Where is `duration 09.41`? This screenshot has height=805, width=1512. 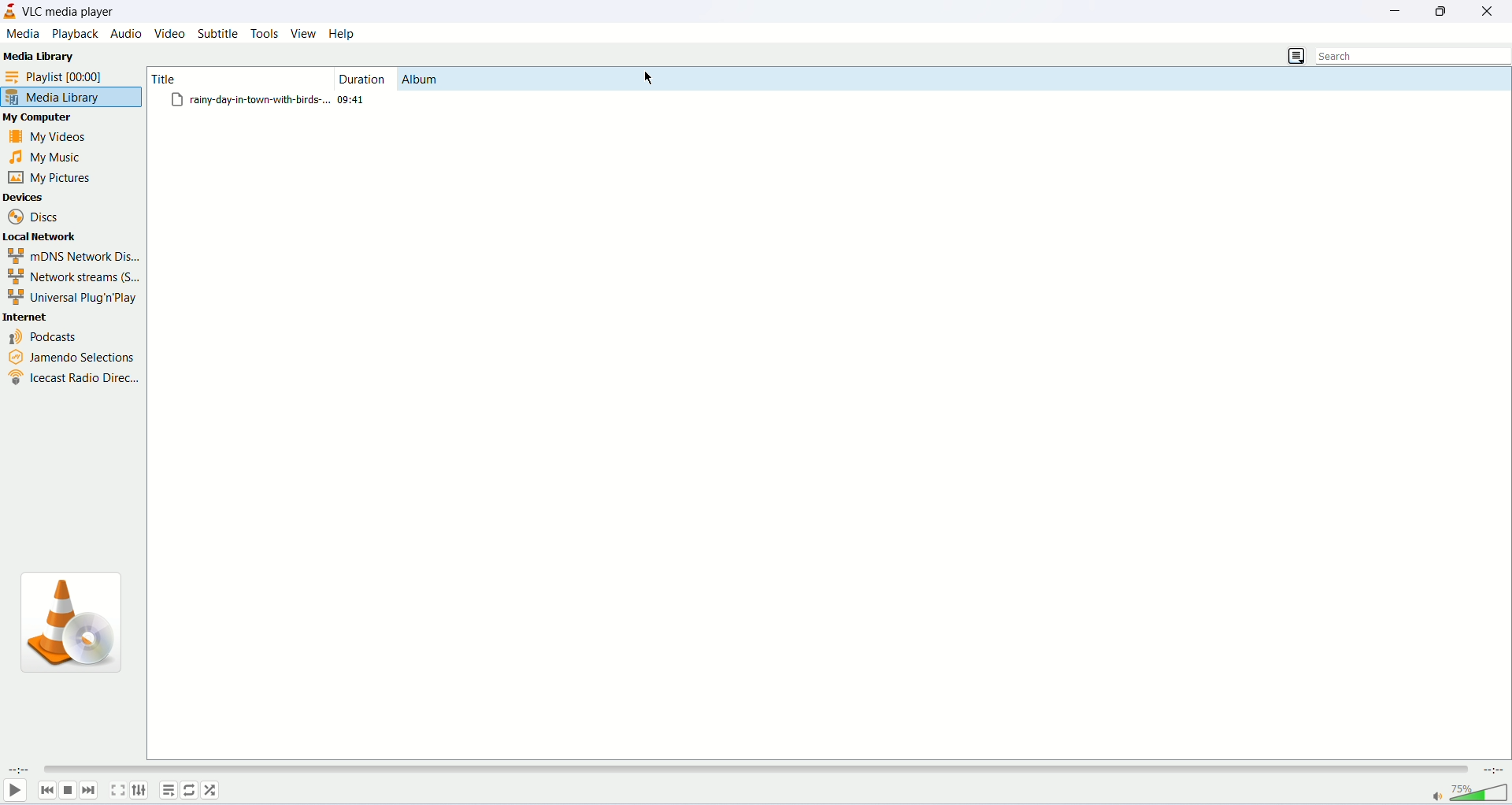 duration 09.41 is located at coordinates (362, 100).